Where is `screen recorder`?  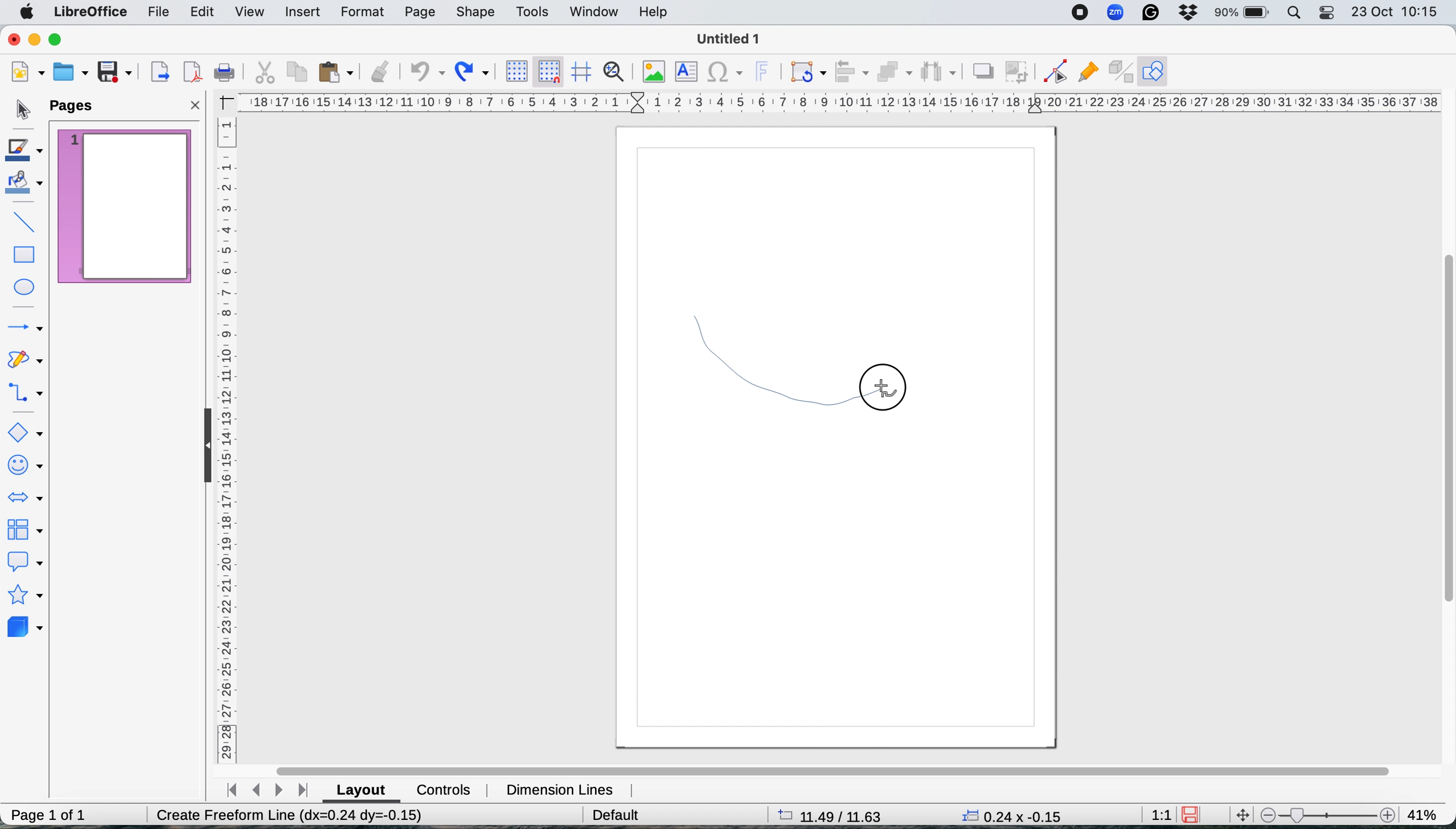 screen recorder is located at coordinates (1081, 13).